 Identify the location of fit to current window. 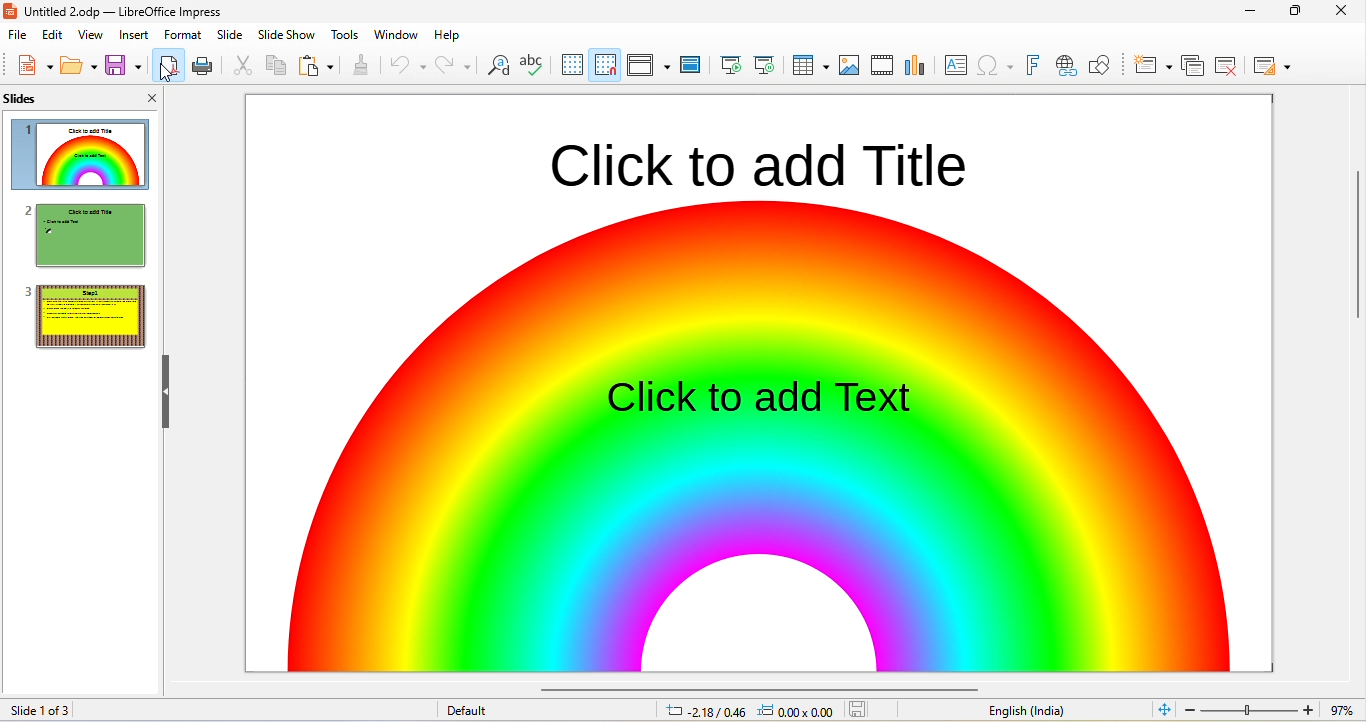
(1164, 708).